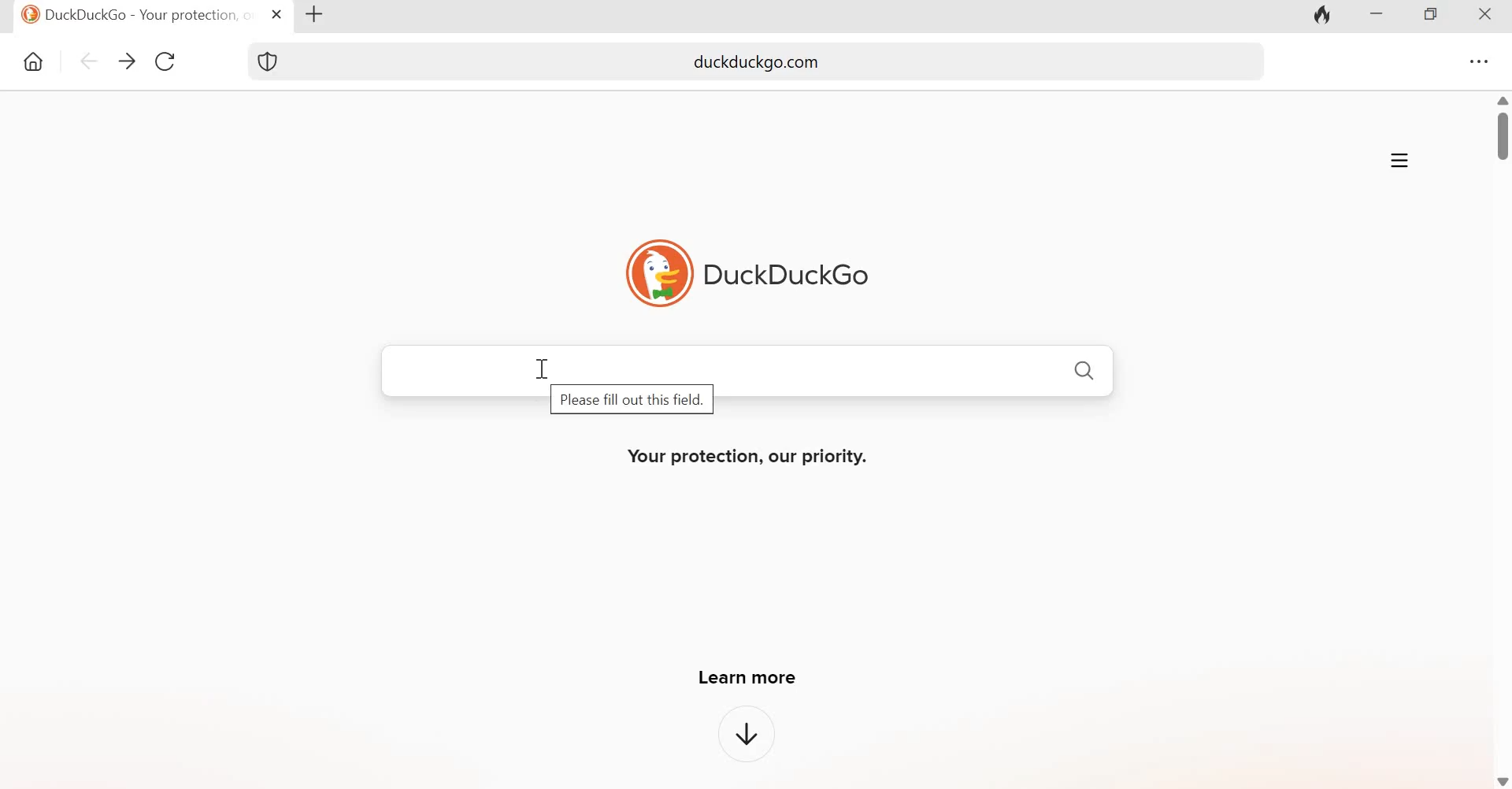 The image size is (1512, 789). Describe the element at coordinates (1322, 17) in the screenshot. I see `Fire ` at that location.